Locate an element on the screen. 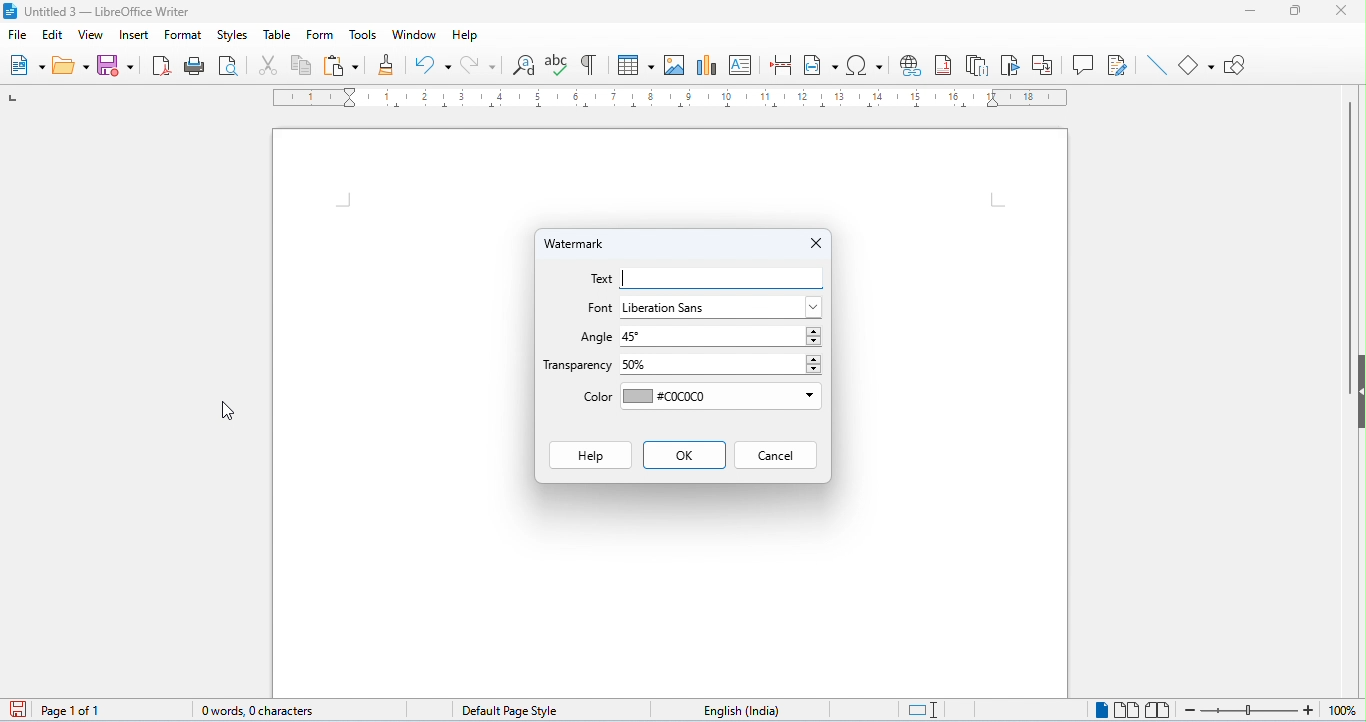  spelling is located at coordinates (558, 65).